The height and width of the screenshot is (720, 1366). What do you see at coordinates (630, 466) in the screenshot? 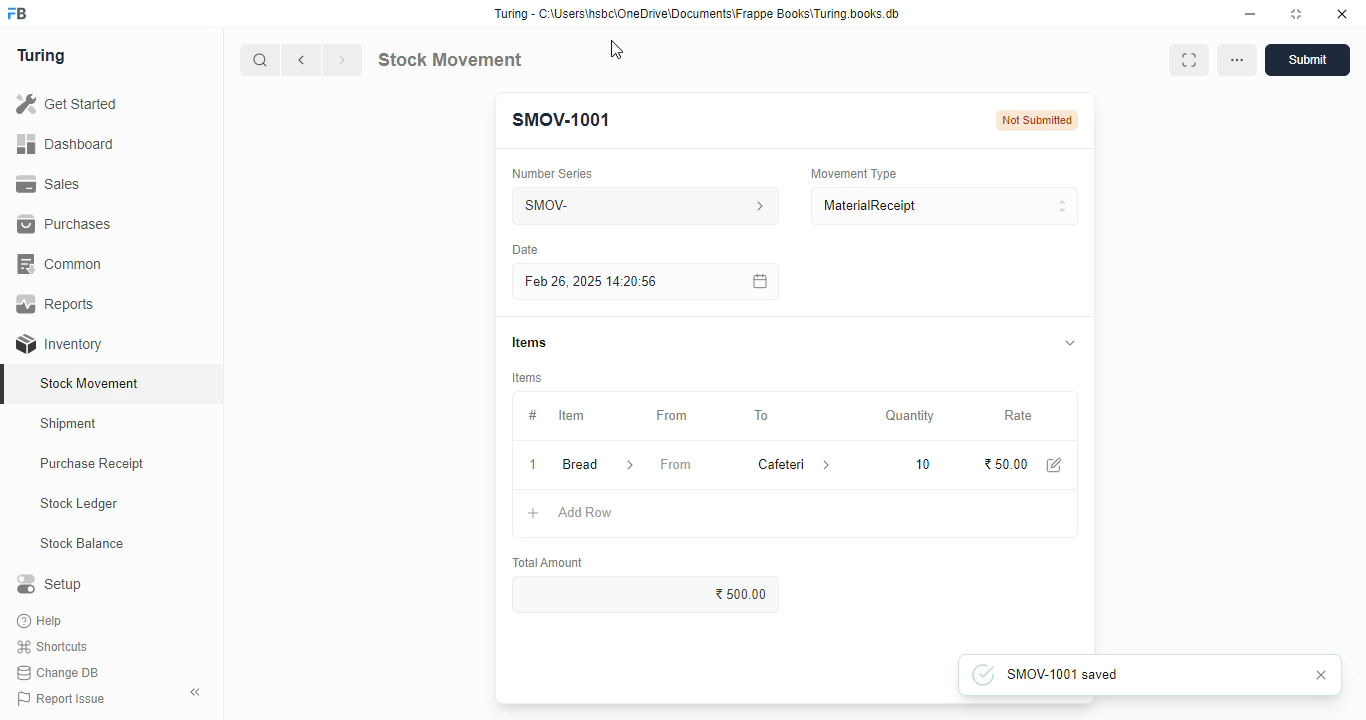
I see `item information` at bounding box center [630, 466].